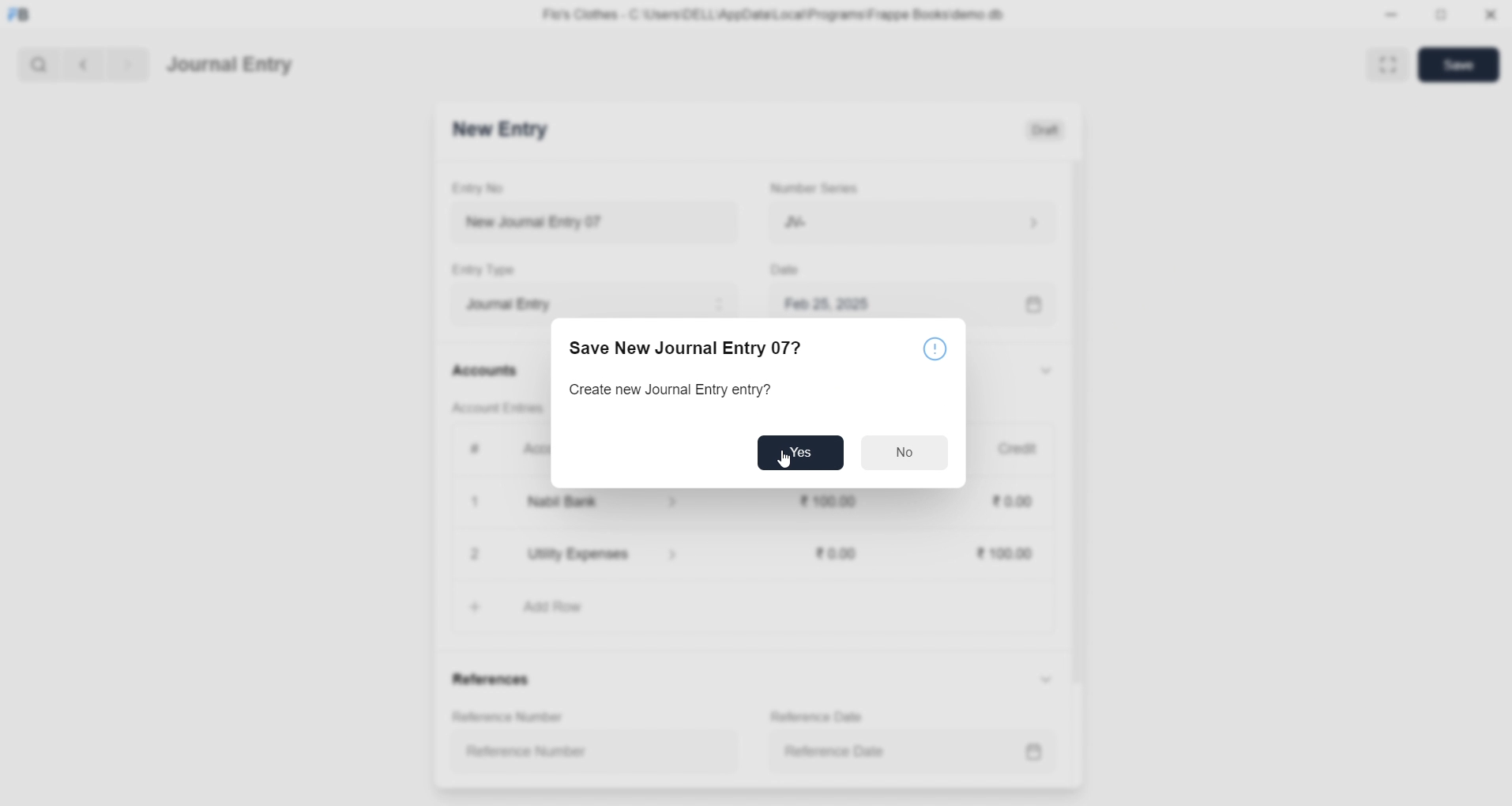 The height and width of the screenshot is (806, 1512). Describe the element at coordinates (786, 465) in the screenshot. I see `cursor` at that location.